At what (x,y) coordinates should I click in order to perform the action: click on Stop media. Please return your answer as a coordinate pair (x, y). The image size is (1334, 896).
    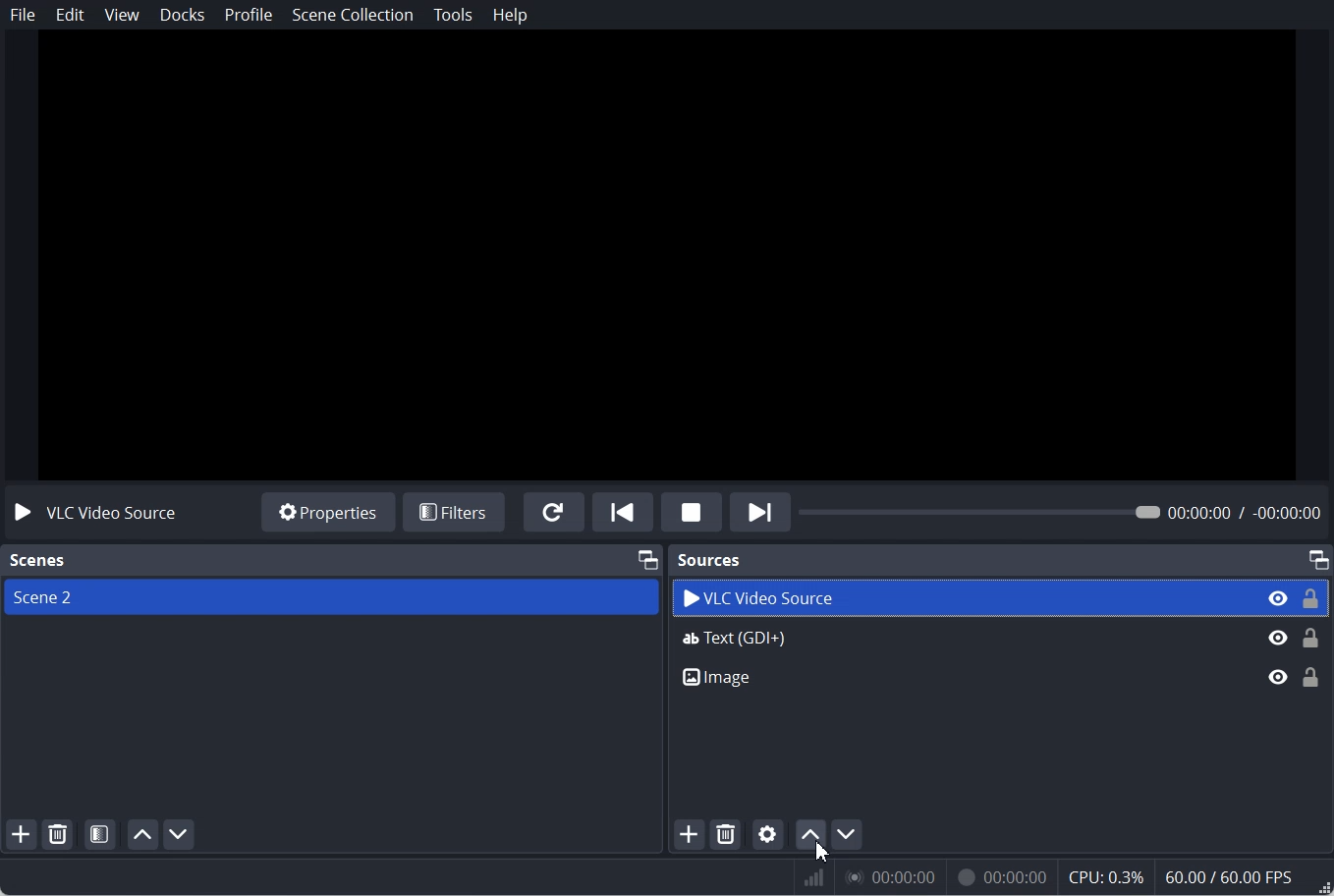
    Looking at the image, I should click on (692, 511).